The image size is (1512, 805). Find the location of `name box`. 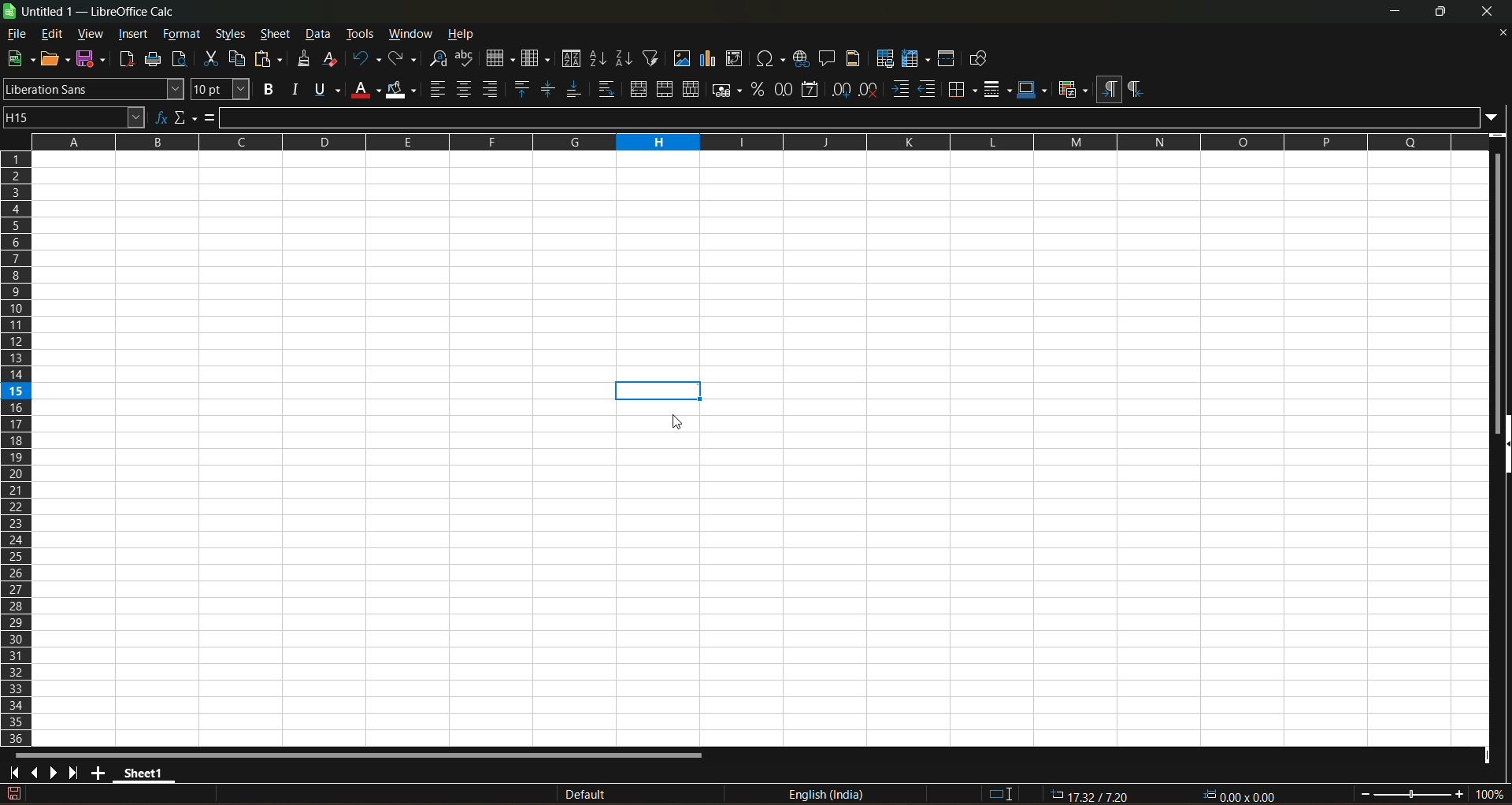

name box is located at coordinates (75, 117).